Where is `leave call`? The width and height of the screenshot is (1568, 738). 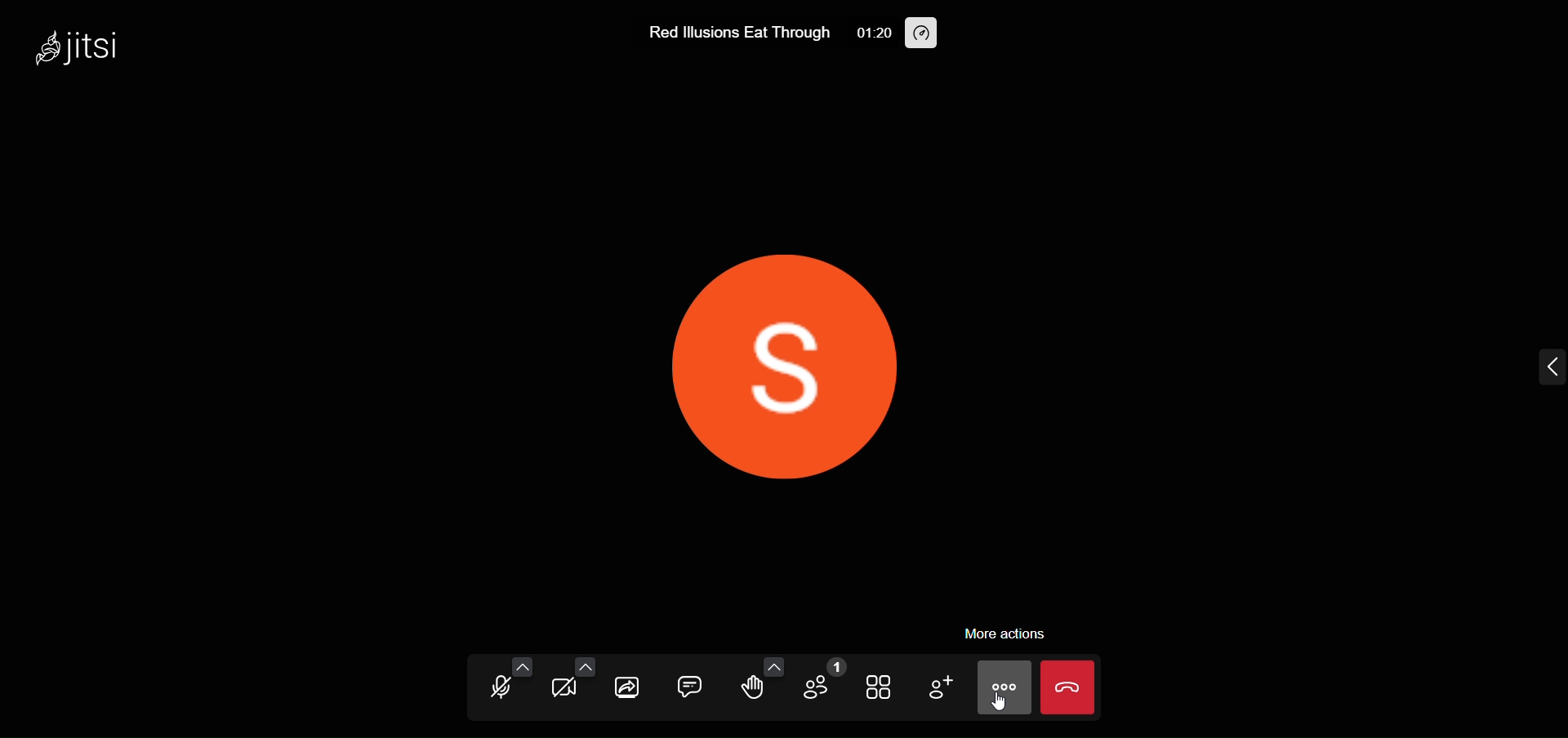
leave call is located at coordinates (1073, 690).